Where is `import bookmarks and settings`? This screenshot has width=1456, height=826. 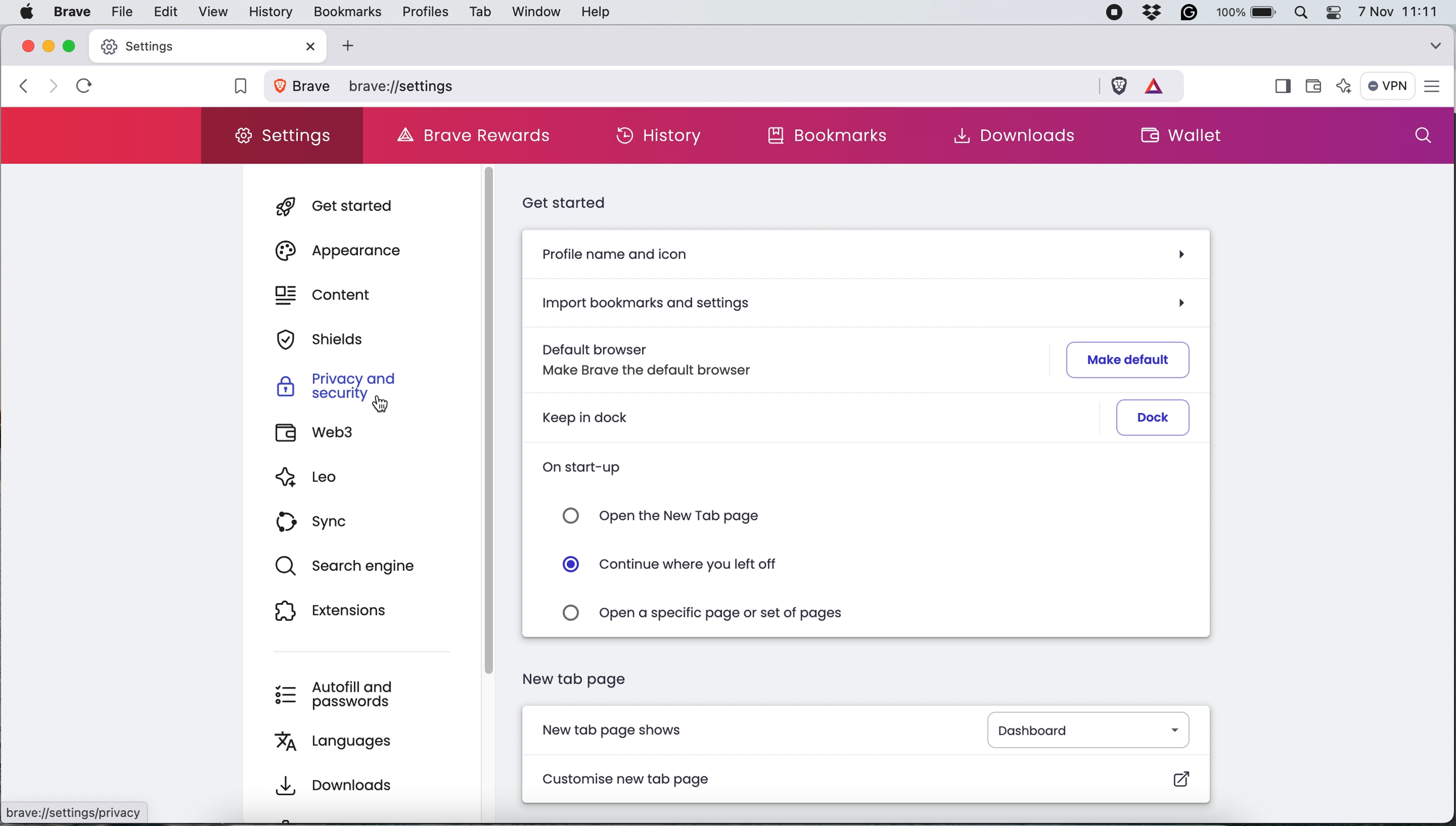 import bookmarks and settings is located at coordinates (864, 298).